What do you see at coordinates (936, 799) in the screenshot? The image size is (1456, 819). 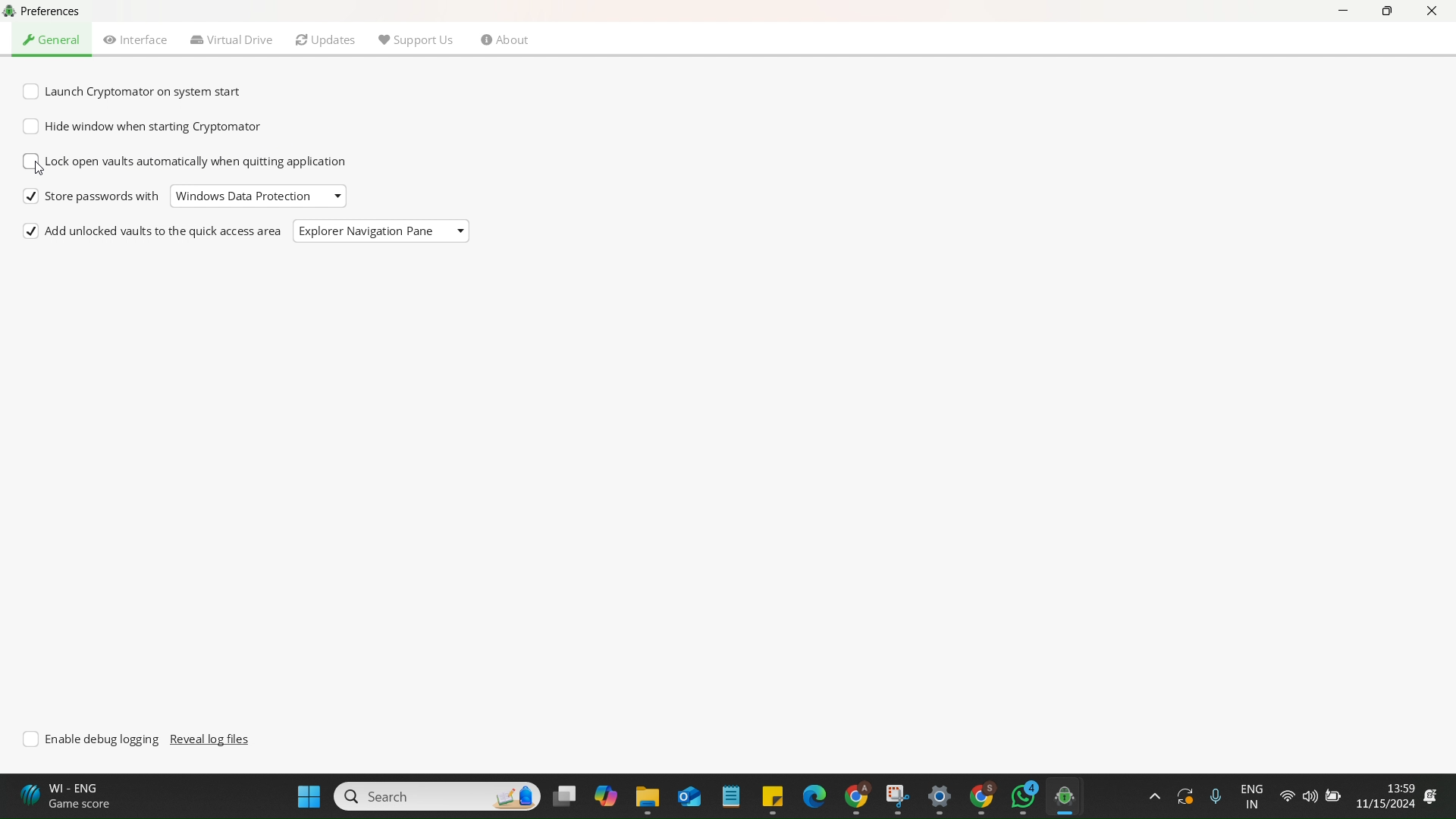 I see `Settings` at bounding box center [936, 799].